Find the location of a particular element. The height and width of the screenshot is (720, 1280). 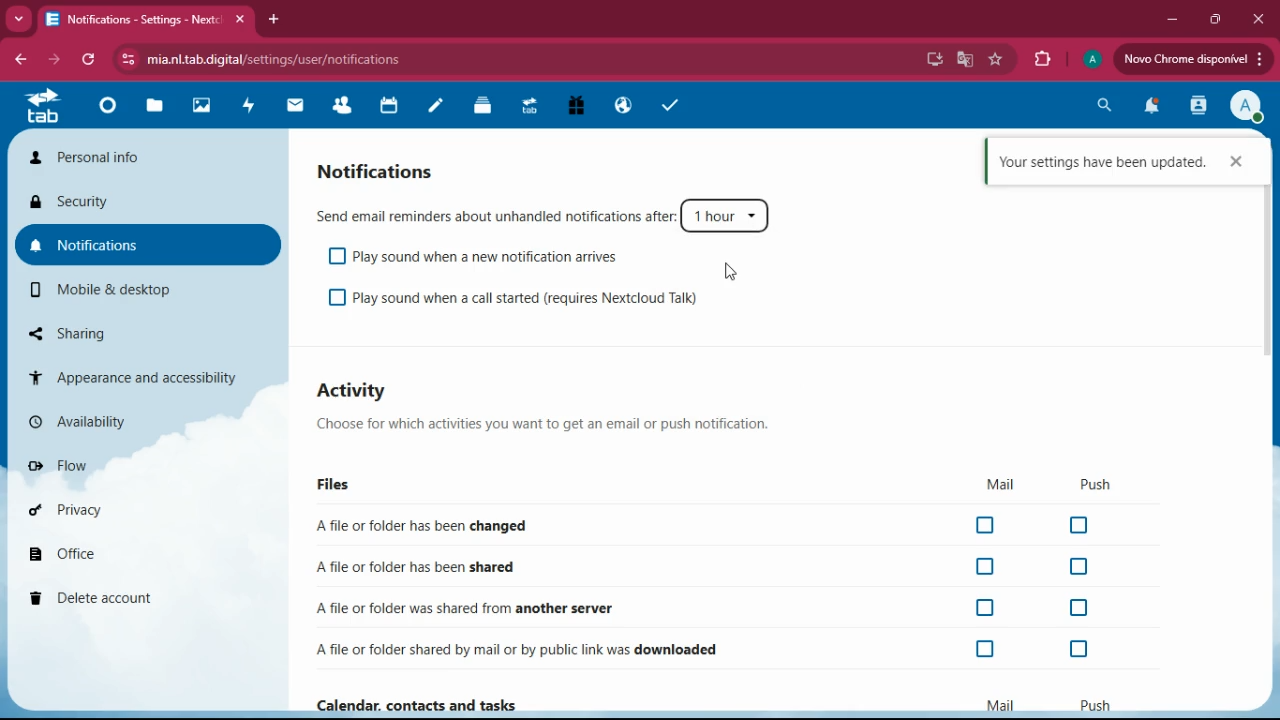

availability is located at coordinates (123, 425).